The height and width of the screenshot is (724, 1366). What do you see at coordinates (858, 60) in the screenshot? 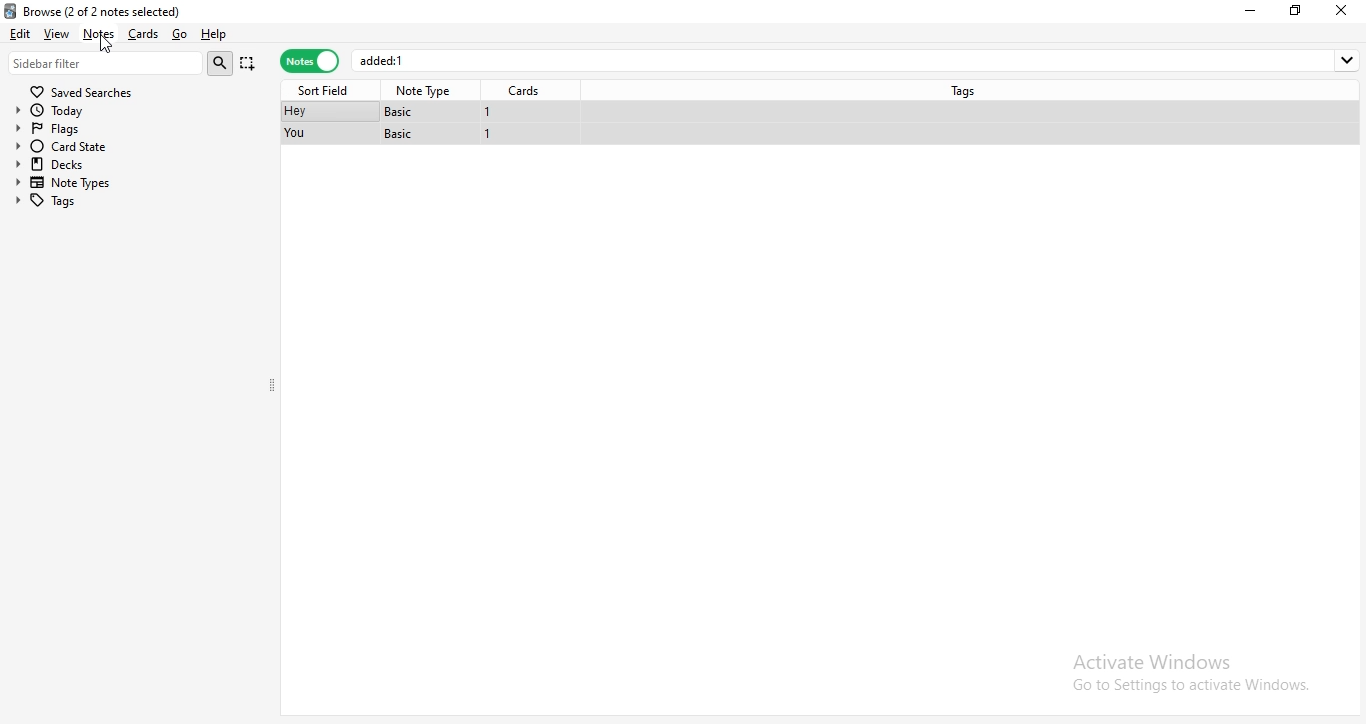
I see `added:1` at bounding box center [858, 60].